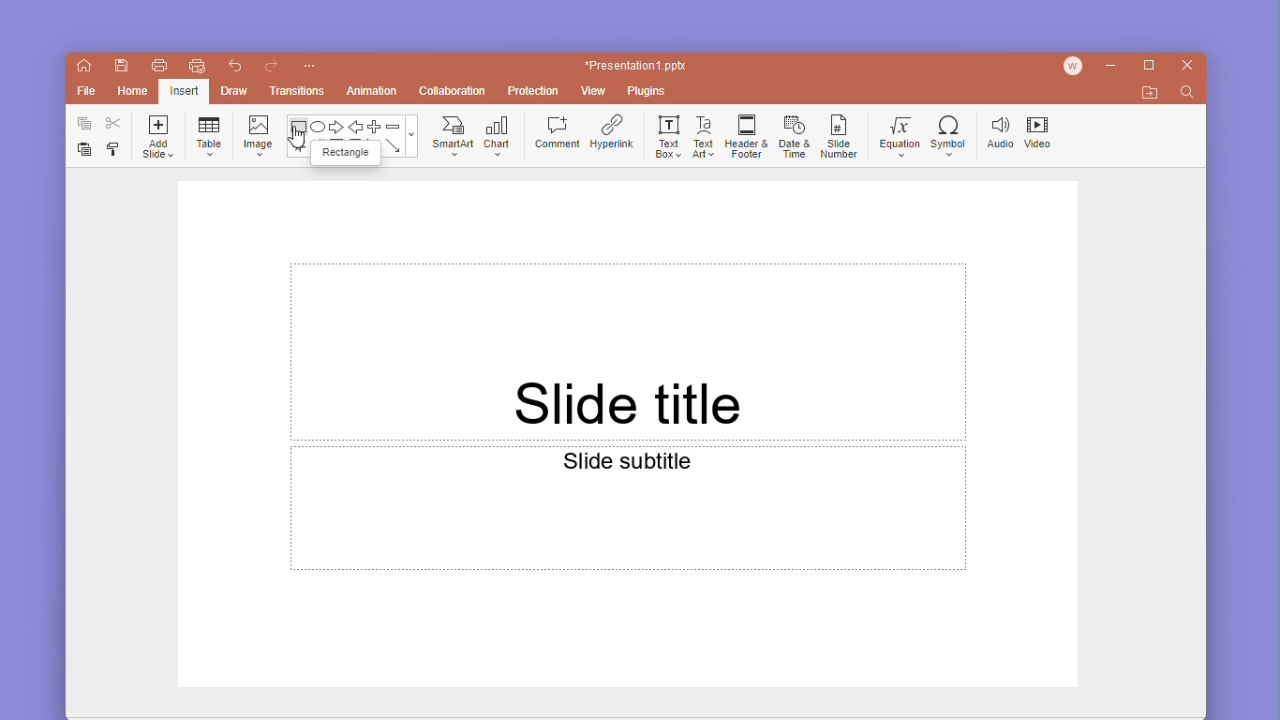 The height and width of the screenshot is (720, 1280). Describe the element at coordinates (372, 90) in the screenshot. I see `animation` at that location.